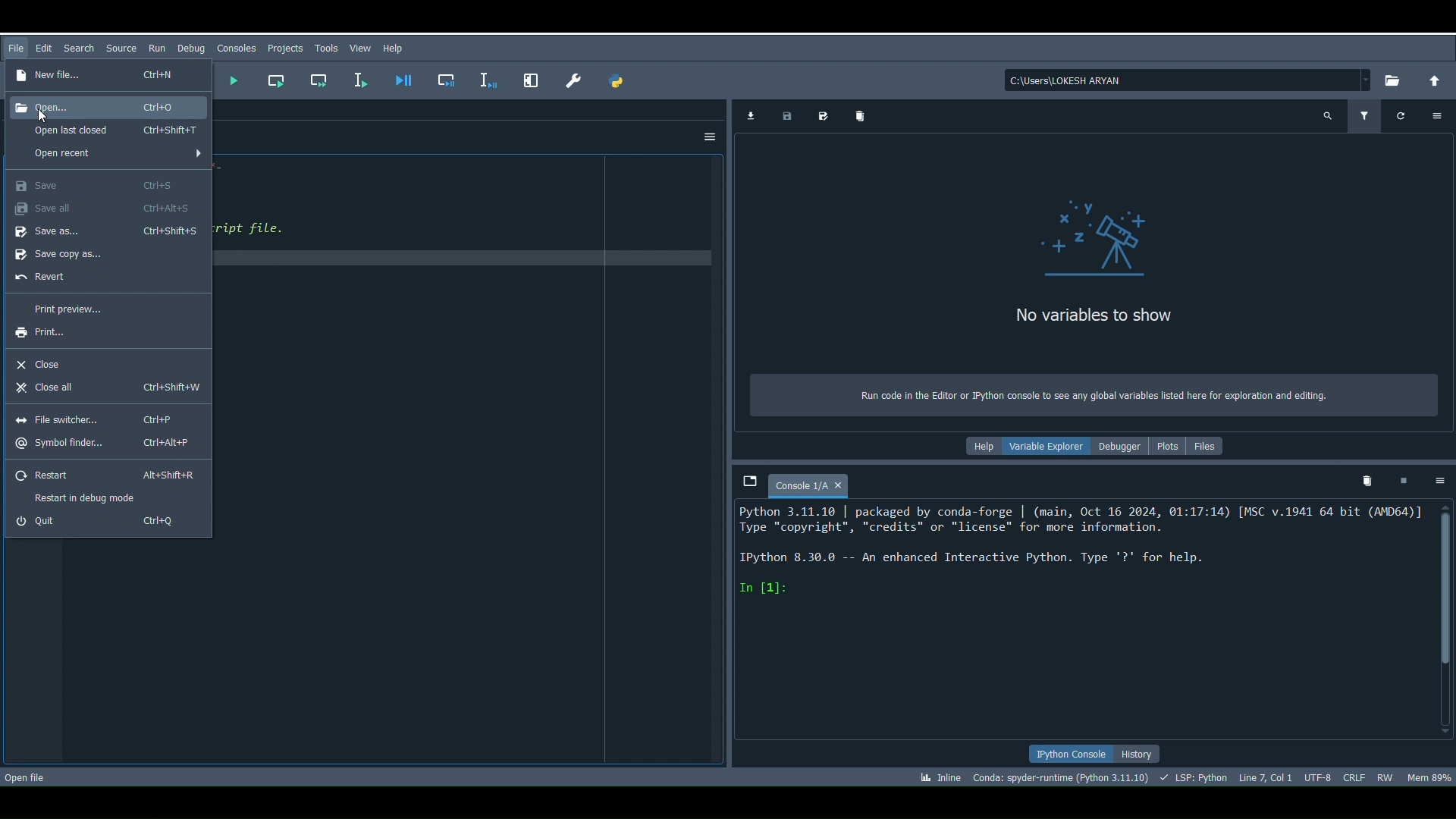 Image resolution: width=1456 pixels, height=819 pixels. Describe the element at coordinates (746, 477) in the screenshot. I see `Browse tabs` at that location.